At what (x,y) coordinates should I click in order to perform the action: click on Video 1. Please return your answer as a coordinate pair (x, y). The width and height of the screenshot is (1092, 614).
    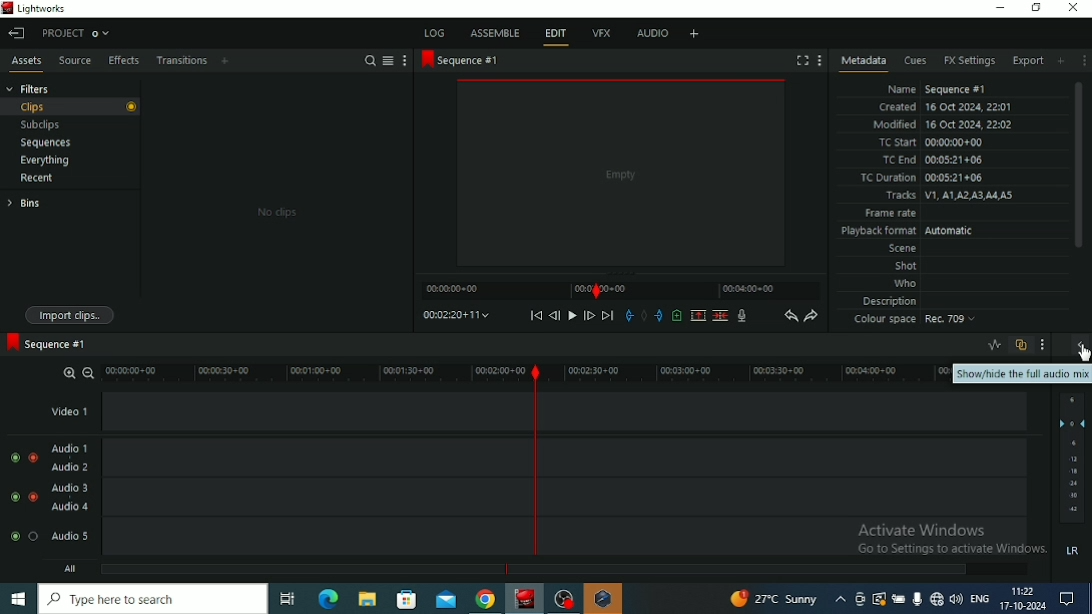
    Looking at the image, I should click on (539, 411).